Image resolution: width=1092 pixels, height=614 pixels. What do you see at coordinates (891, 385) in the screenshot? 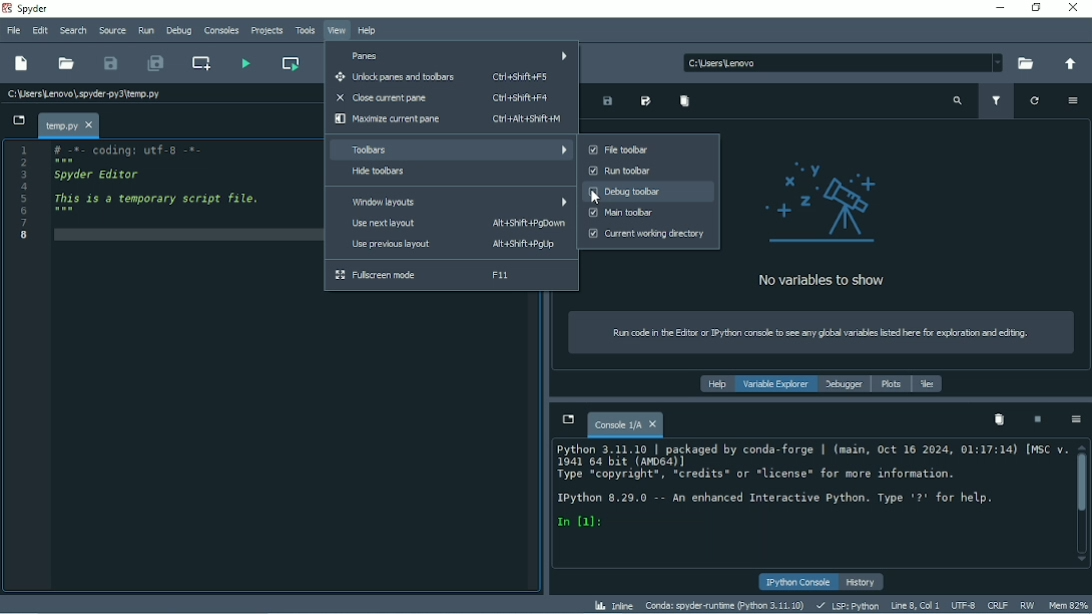
I see `Plots` at bounding box center [891, 385].